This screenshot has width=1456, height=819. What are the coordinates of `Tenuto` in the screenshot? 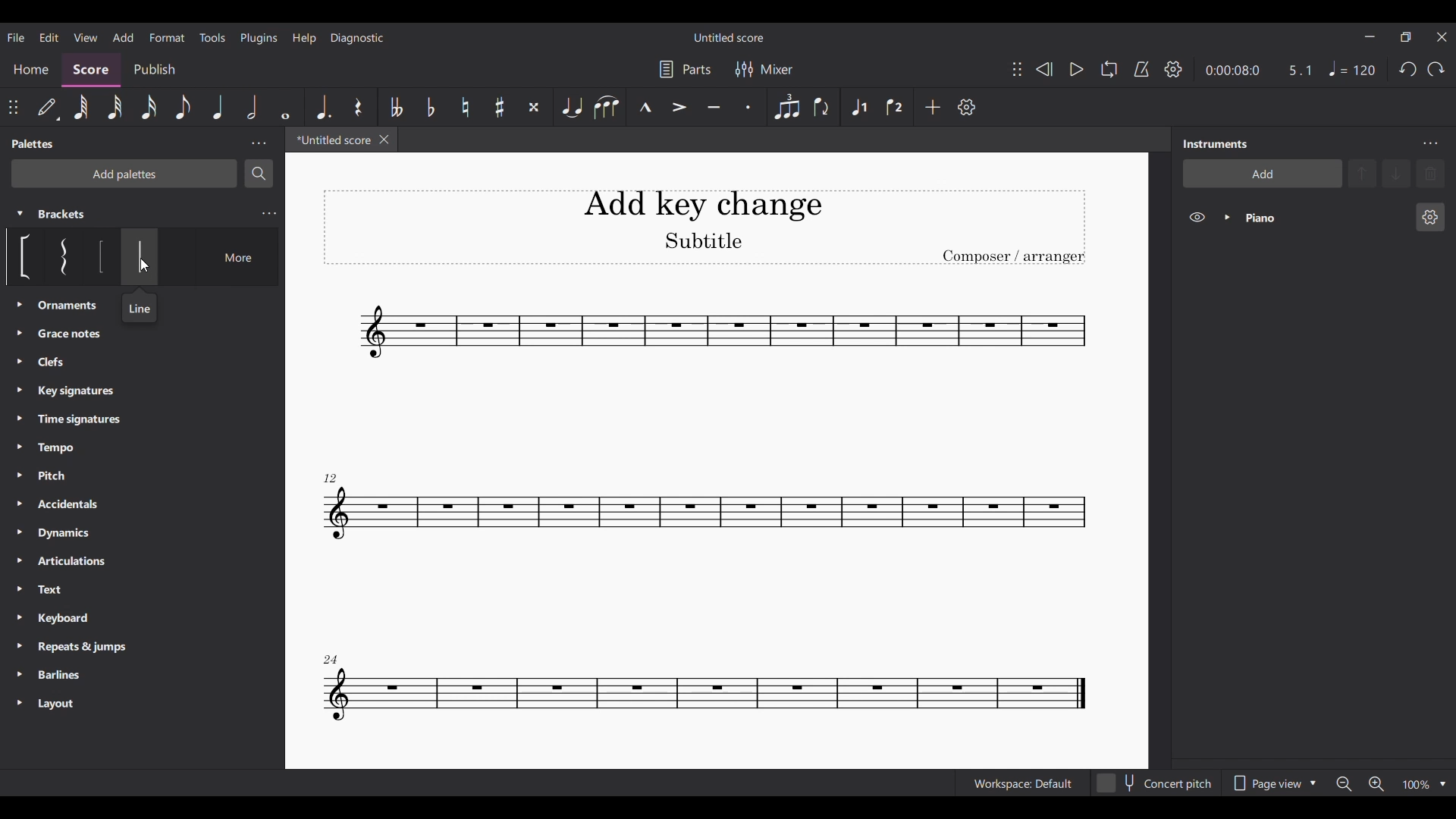 It's located at (714, 107).